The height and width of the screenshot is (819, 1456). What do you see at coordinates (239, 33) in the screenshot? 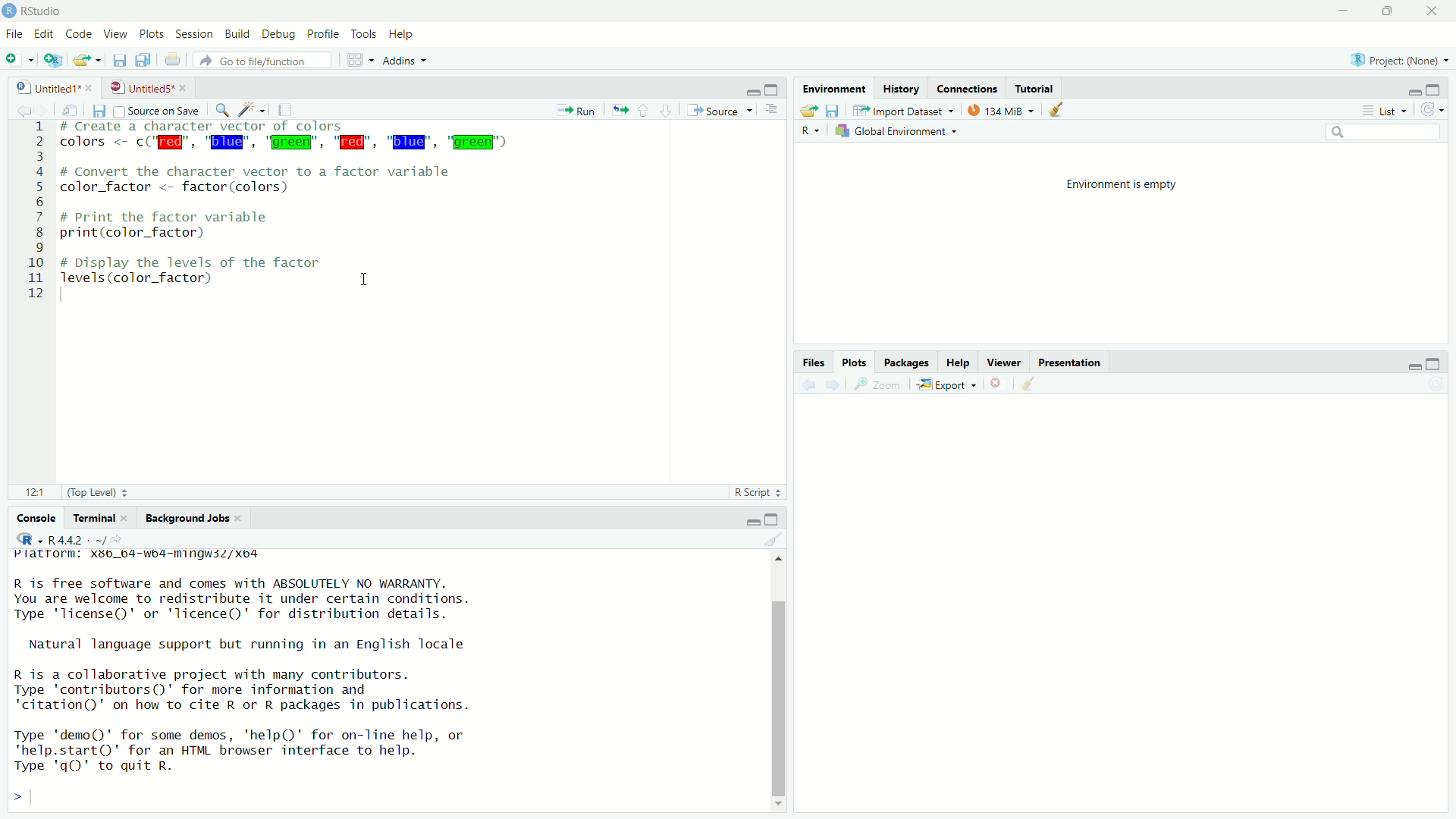
I see `build` at bounding box center [239, 33].